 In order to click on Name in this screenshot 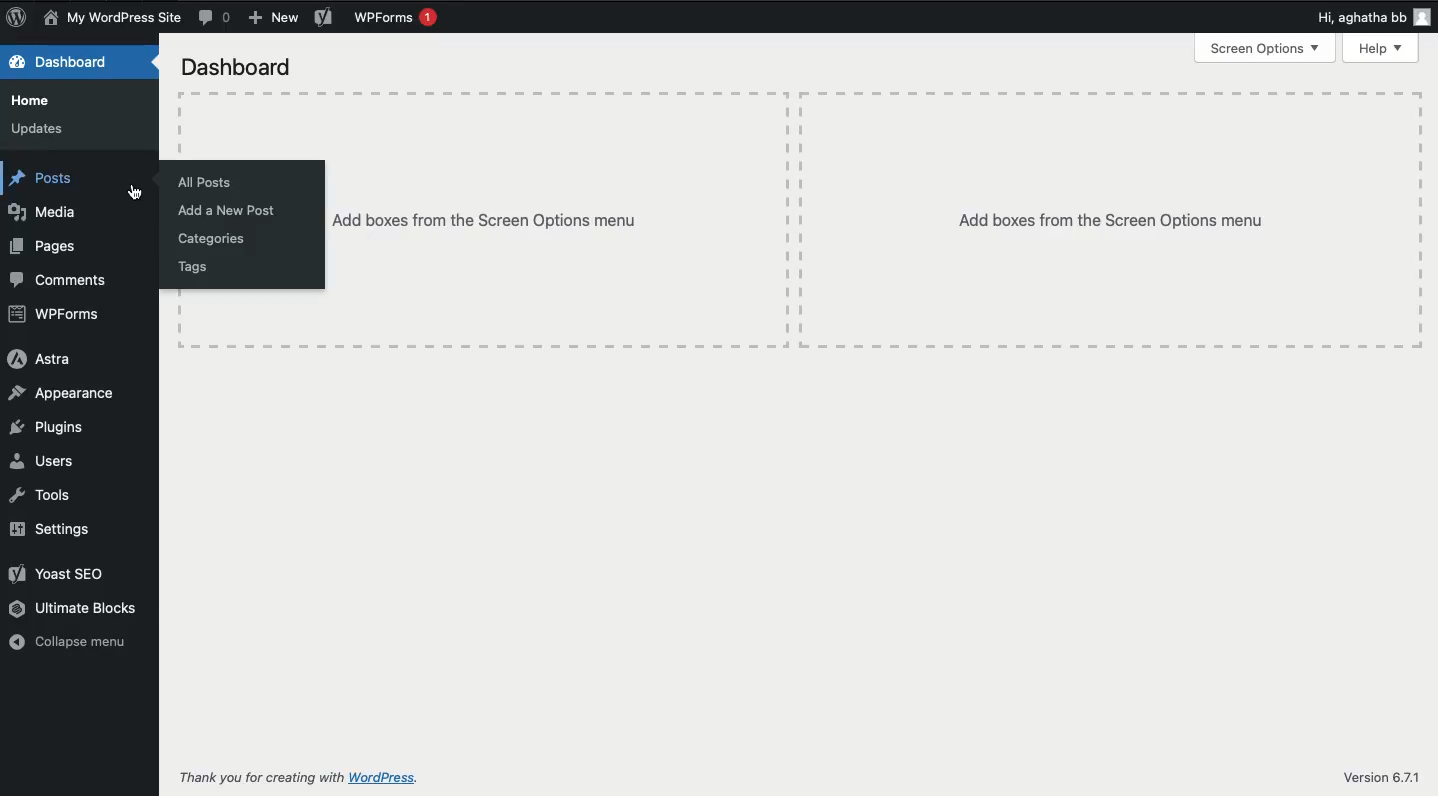, I will do `click(110, 18)`.